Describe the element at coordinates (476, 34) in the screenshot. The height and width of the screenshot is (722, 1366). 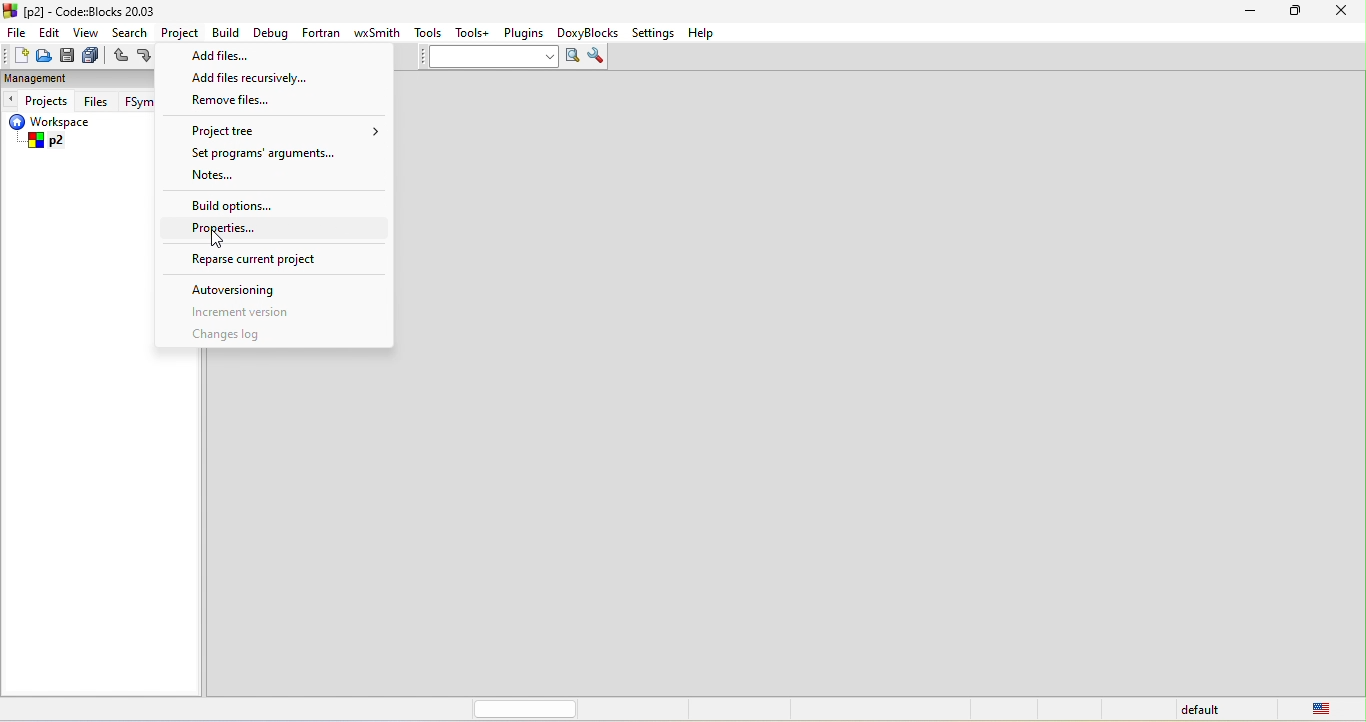
I see `tools++` at that location.